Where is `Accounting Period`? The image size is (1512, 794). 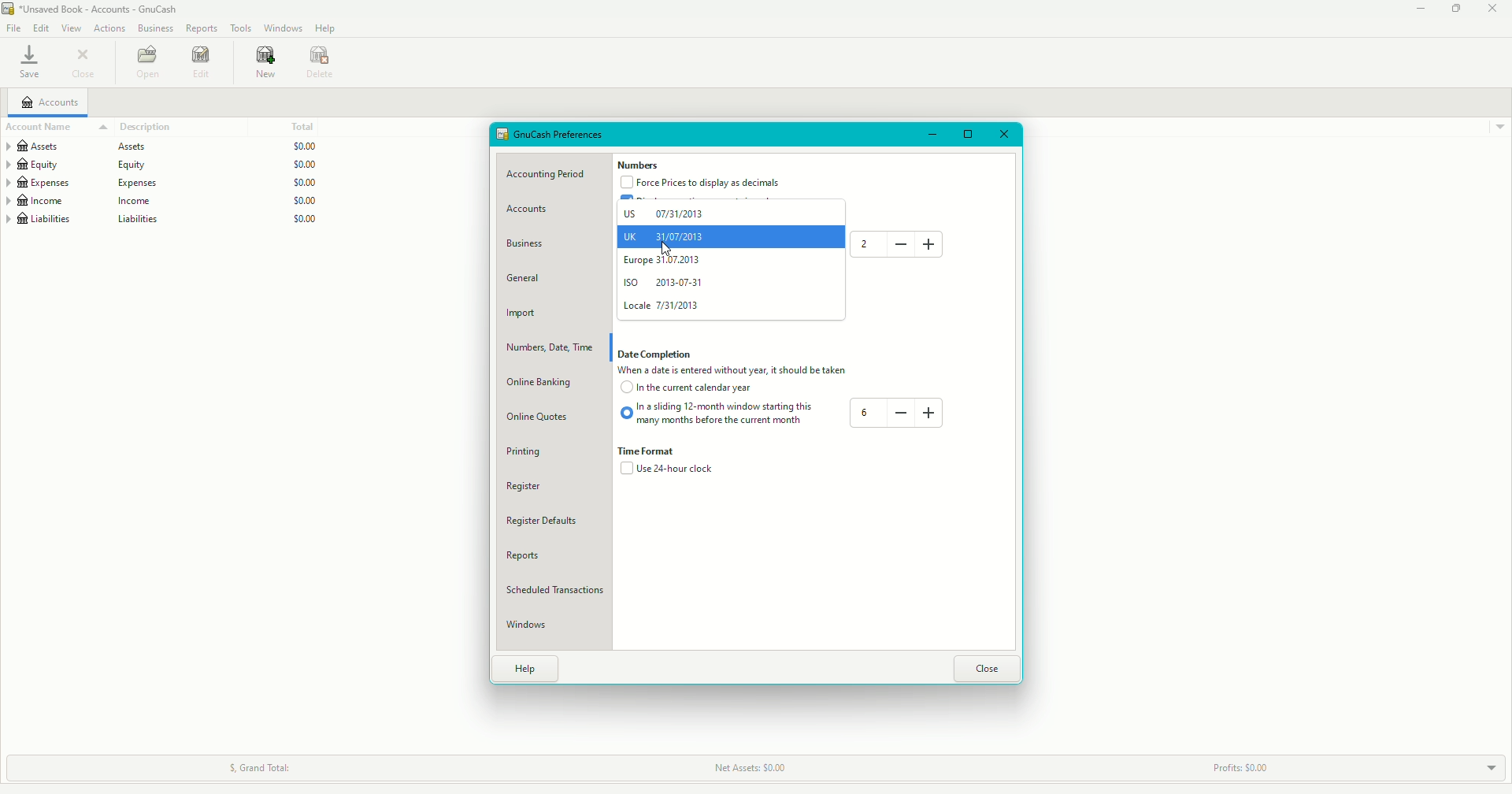 Accounting Period is located at coordinates (553, 173).